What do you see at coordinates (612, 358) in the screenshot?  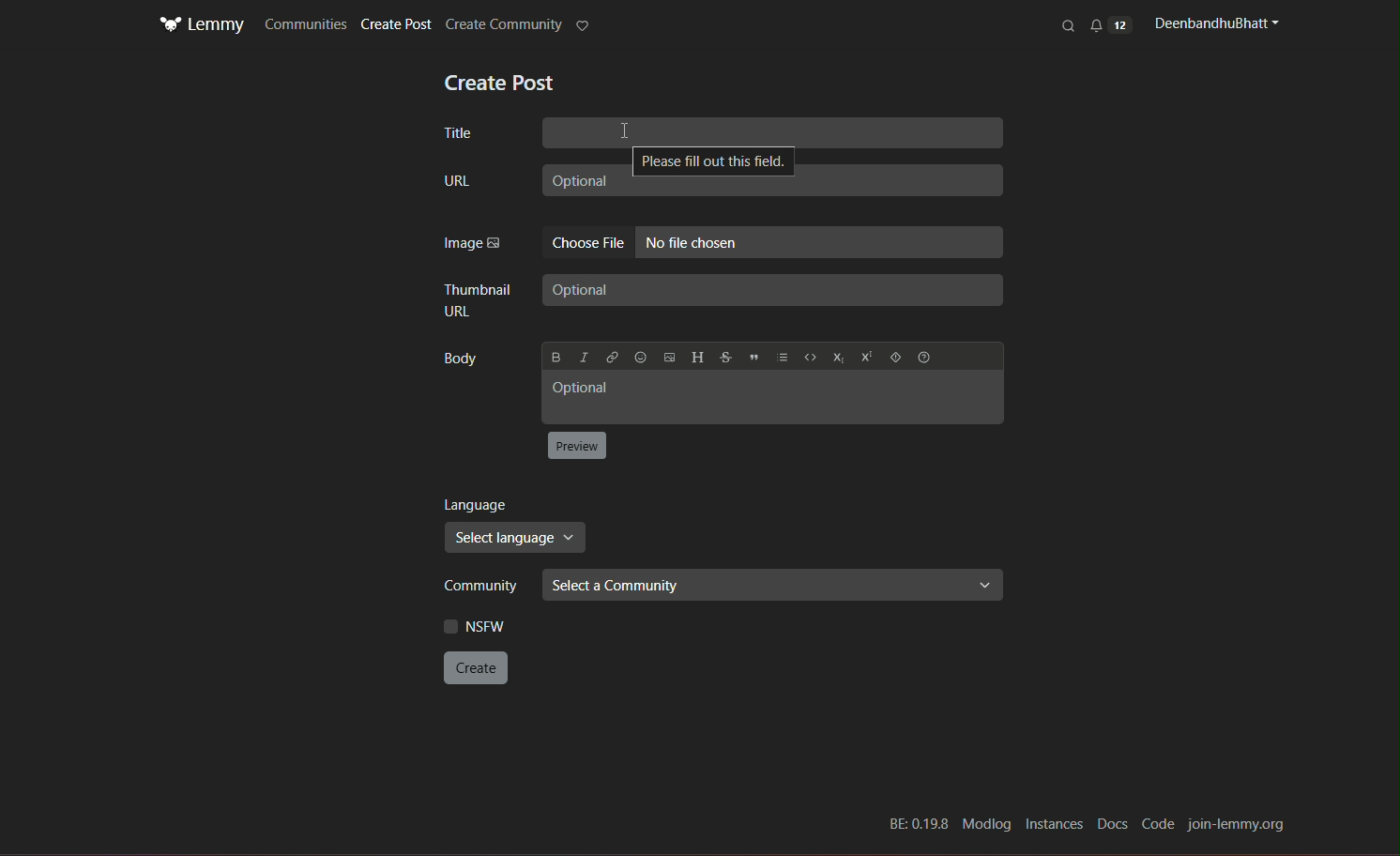 I see `link` at bounding box center [612, 358].